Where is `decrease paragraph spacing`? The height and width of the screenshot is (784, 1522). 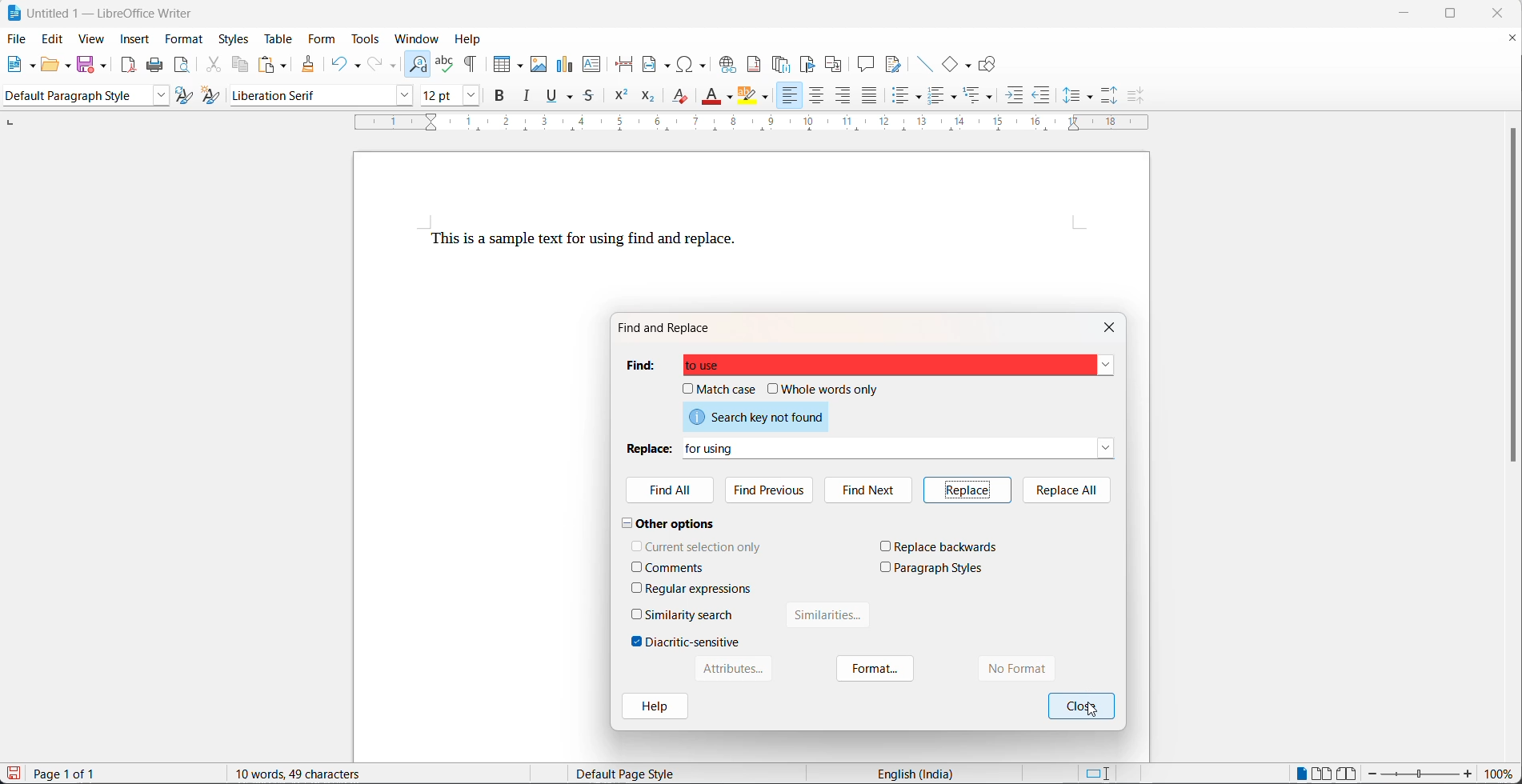 decrease paragraph spacing is located at coordinates (1133, 96).